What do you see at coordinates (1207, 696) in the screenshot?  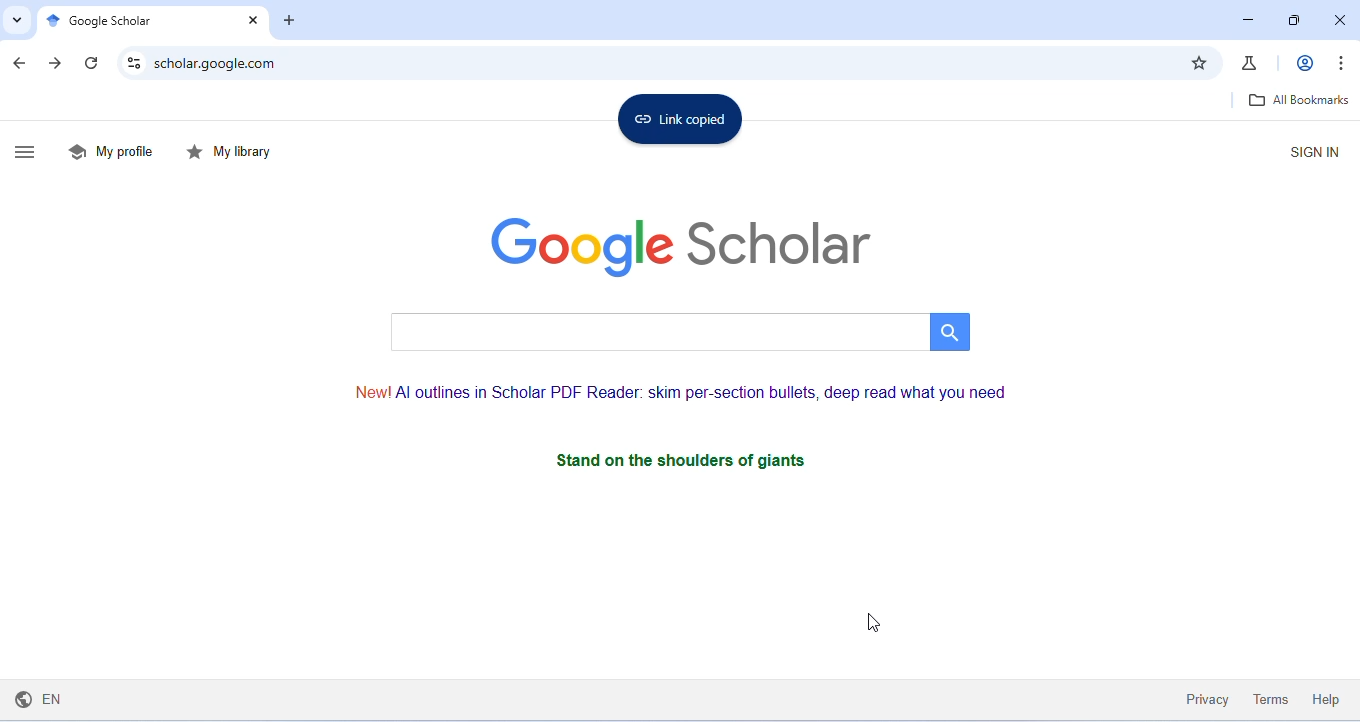 I see `privacy` at bounding box center [1207, 696].